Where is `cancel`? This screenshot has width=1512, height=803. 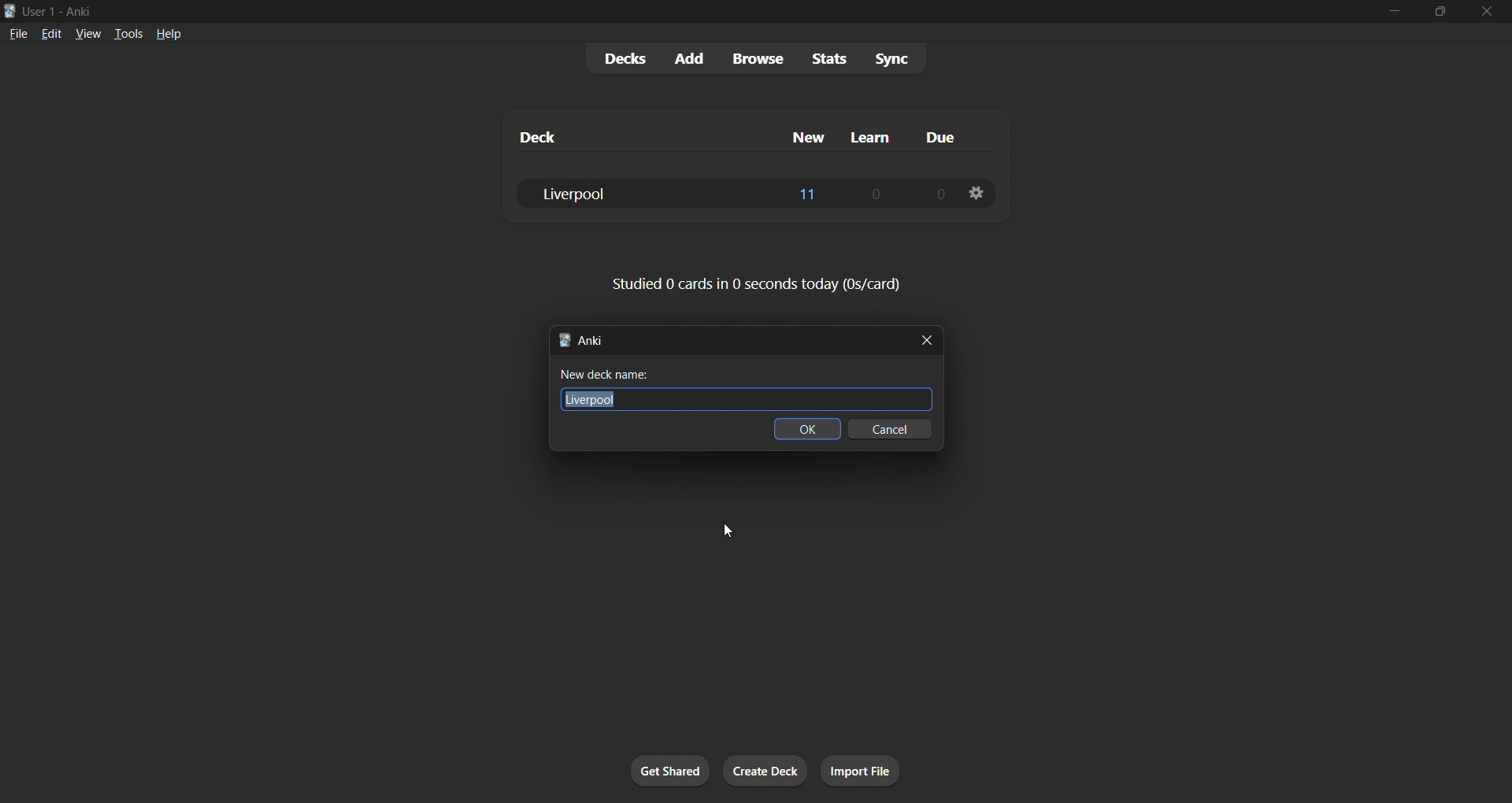 cancel is located at coordinates (890, 430).